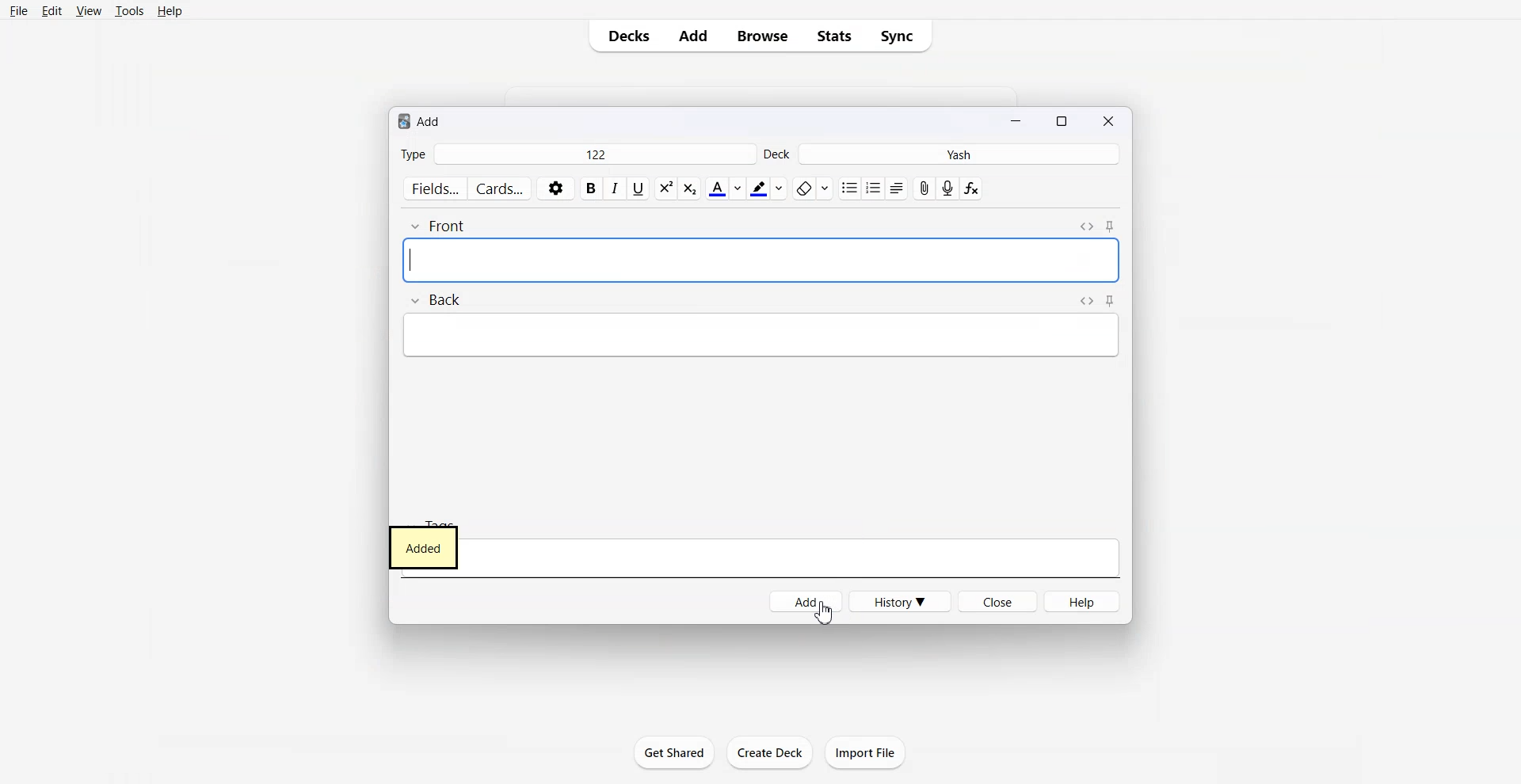 The image size is (1521, 784). I want to click on Cards, so click(499, 188).